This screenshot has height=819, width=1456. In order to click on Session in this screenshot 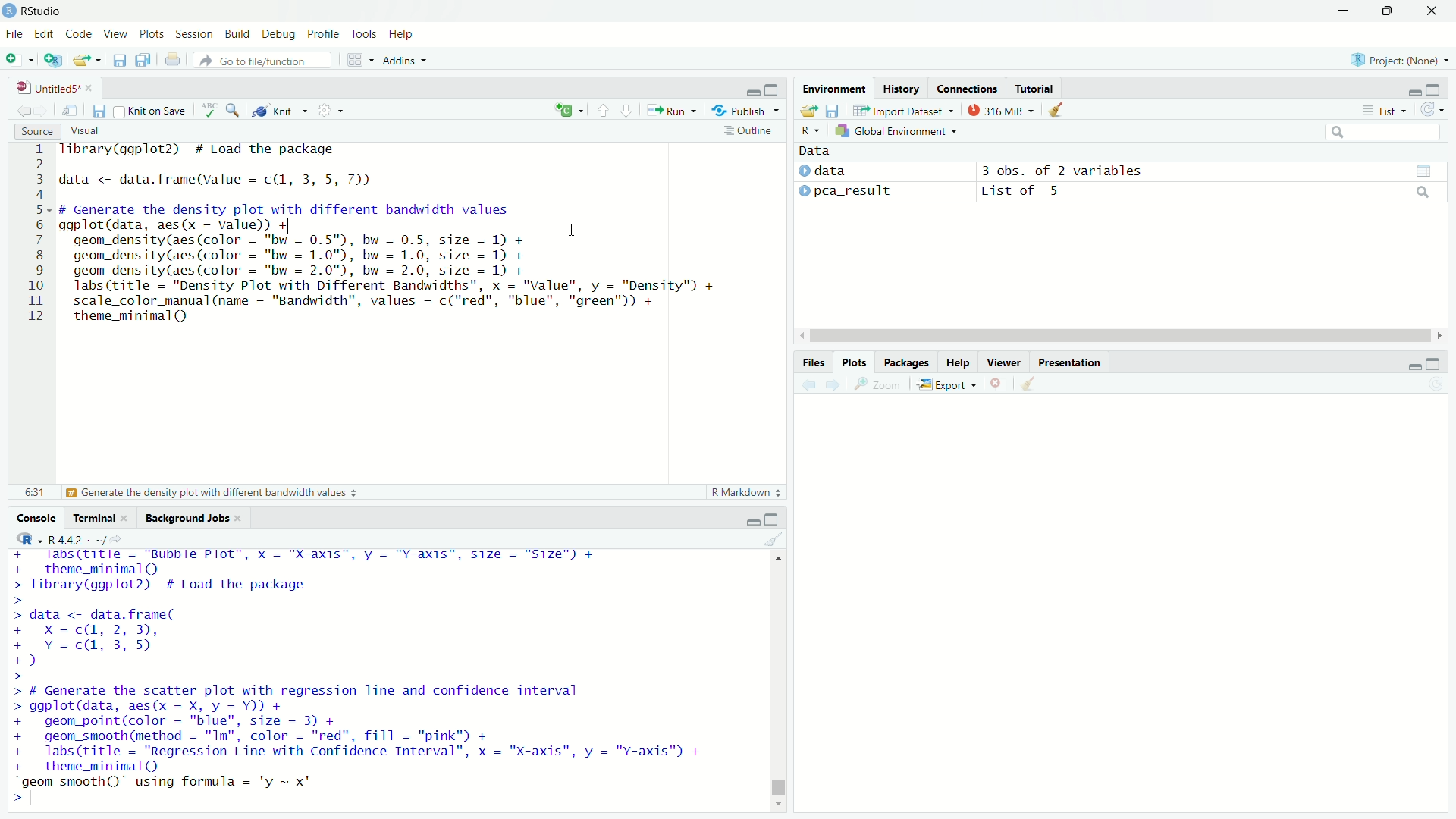, I will do `click(193, 33)`.